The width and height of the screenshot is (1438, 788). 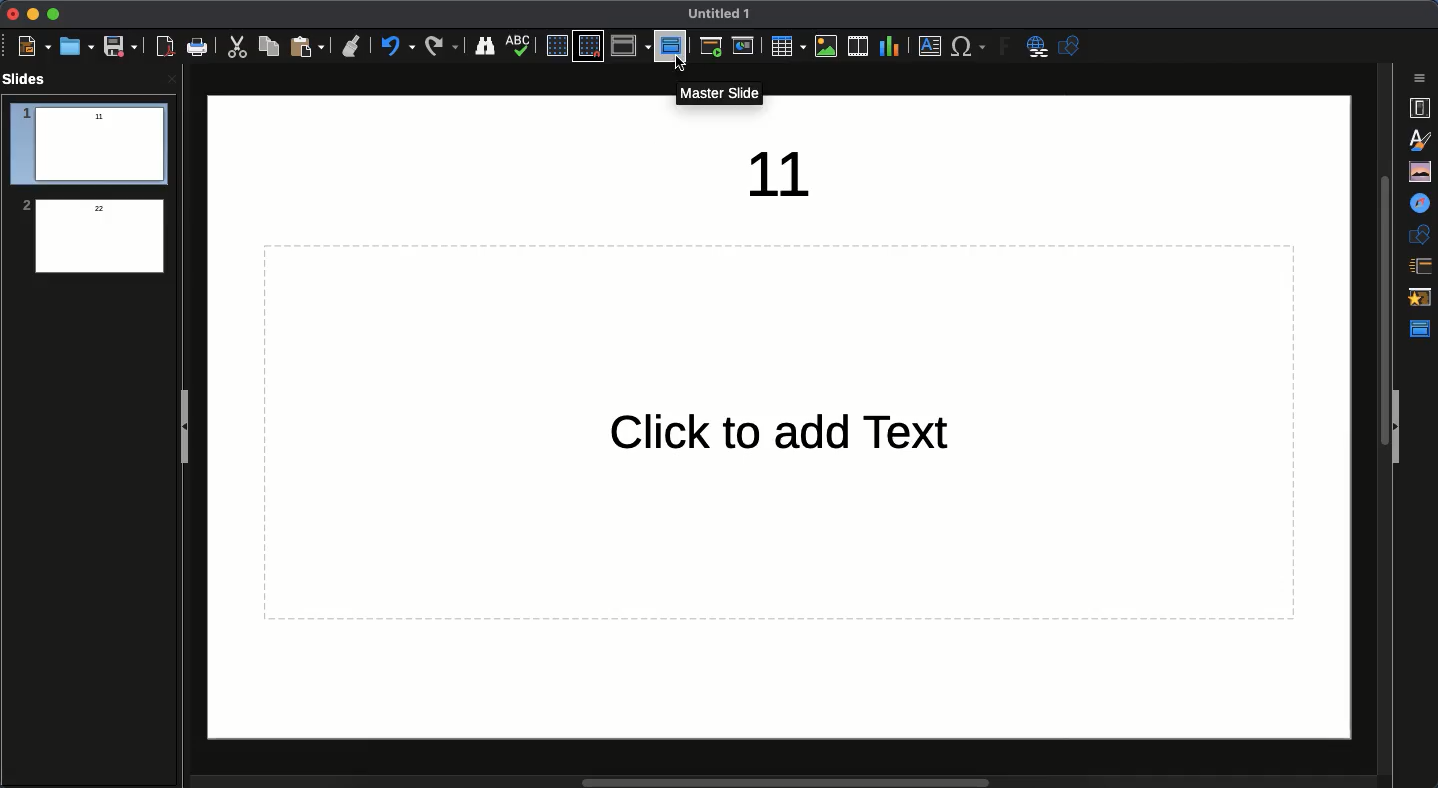 I want to click on Special characters, so click(x=969, y=47).